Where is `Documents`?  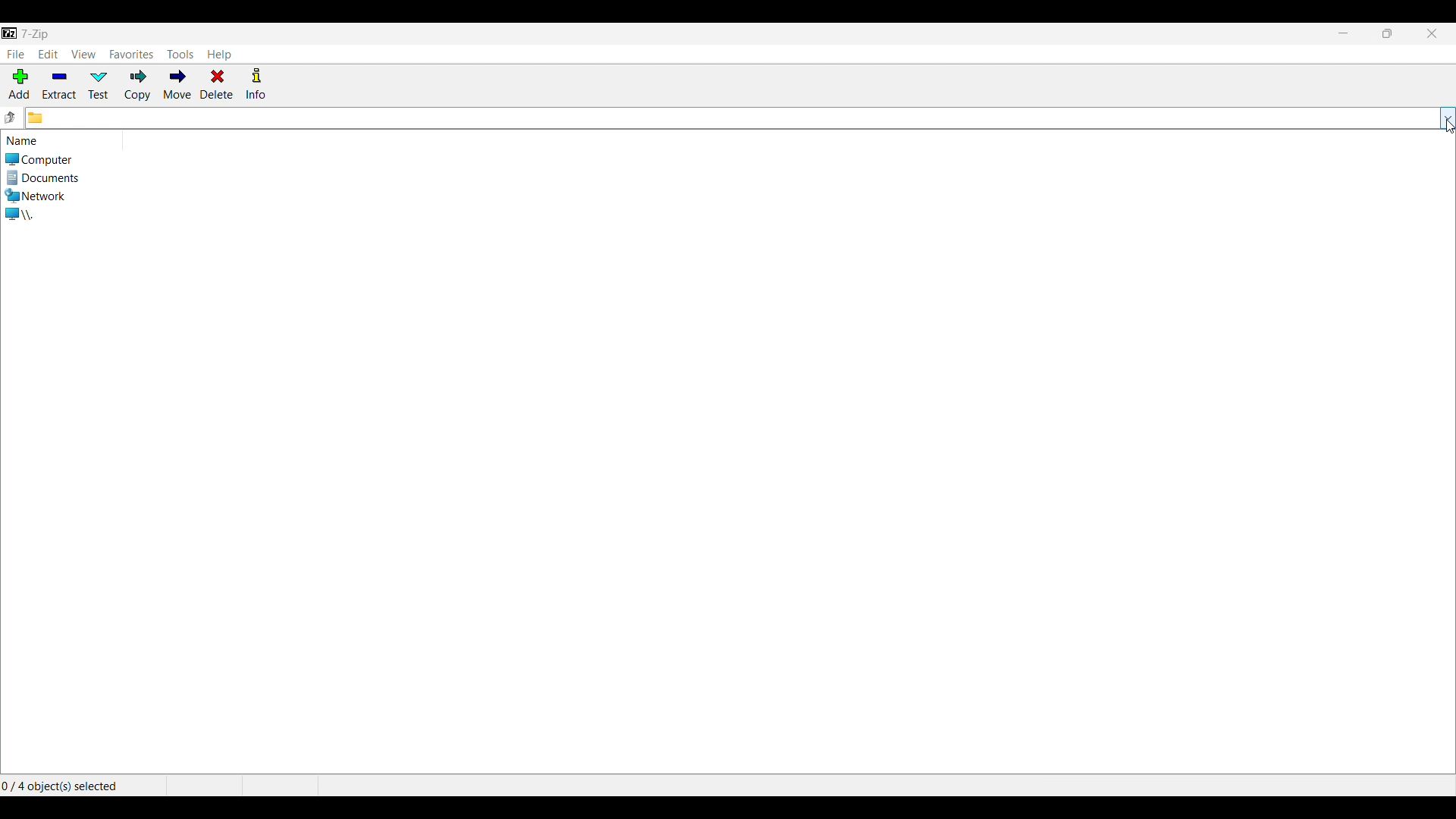
Documents is located at coordinates (43, 177).